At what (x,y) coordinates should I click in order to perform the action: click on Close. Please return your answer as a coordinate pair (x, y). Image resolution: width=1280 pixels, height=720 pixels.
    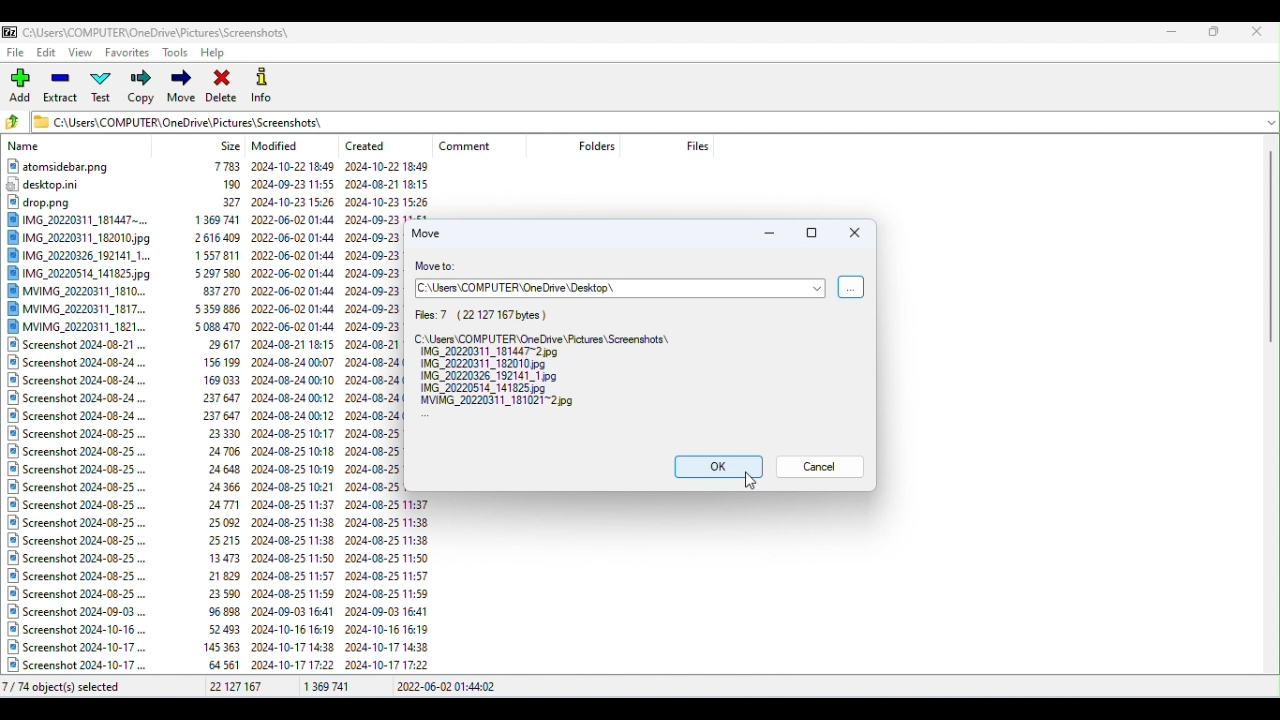
    Looking at the image, I should click on (1259, 31).